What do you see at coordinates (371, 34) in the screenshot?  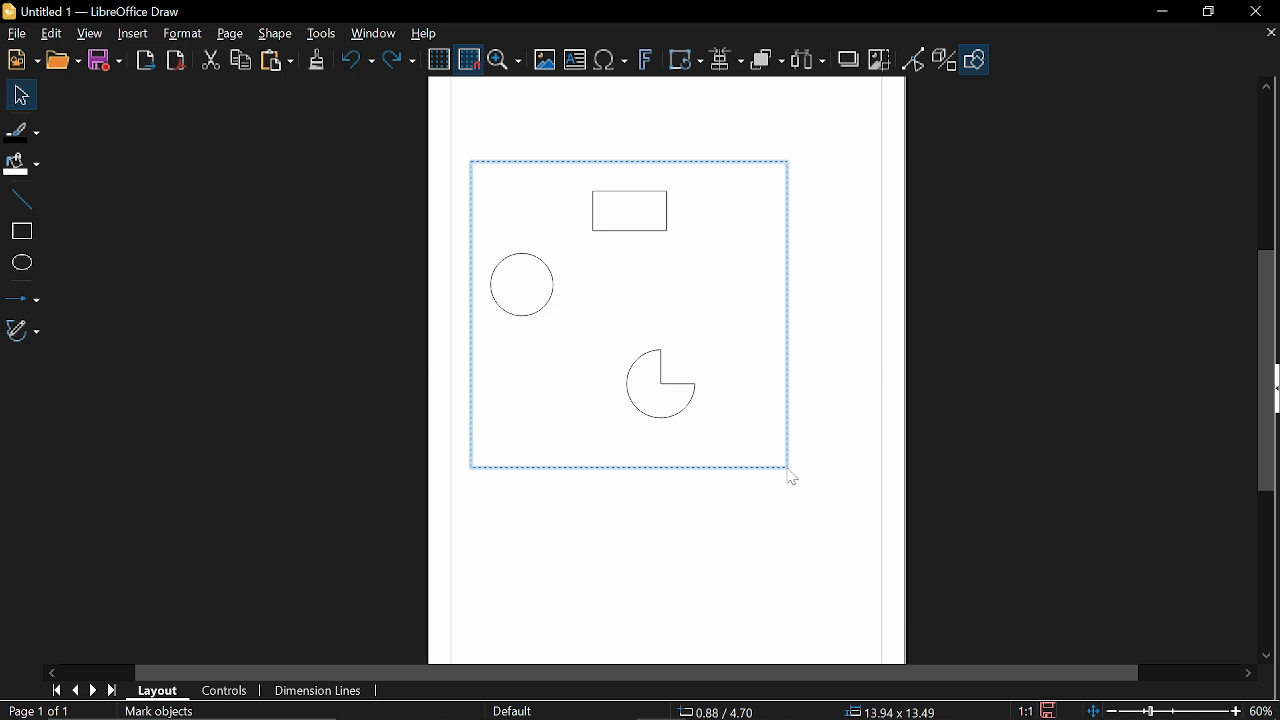 I see `Window` at bounding box center [371, 34].